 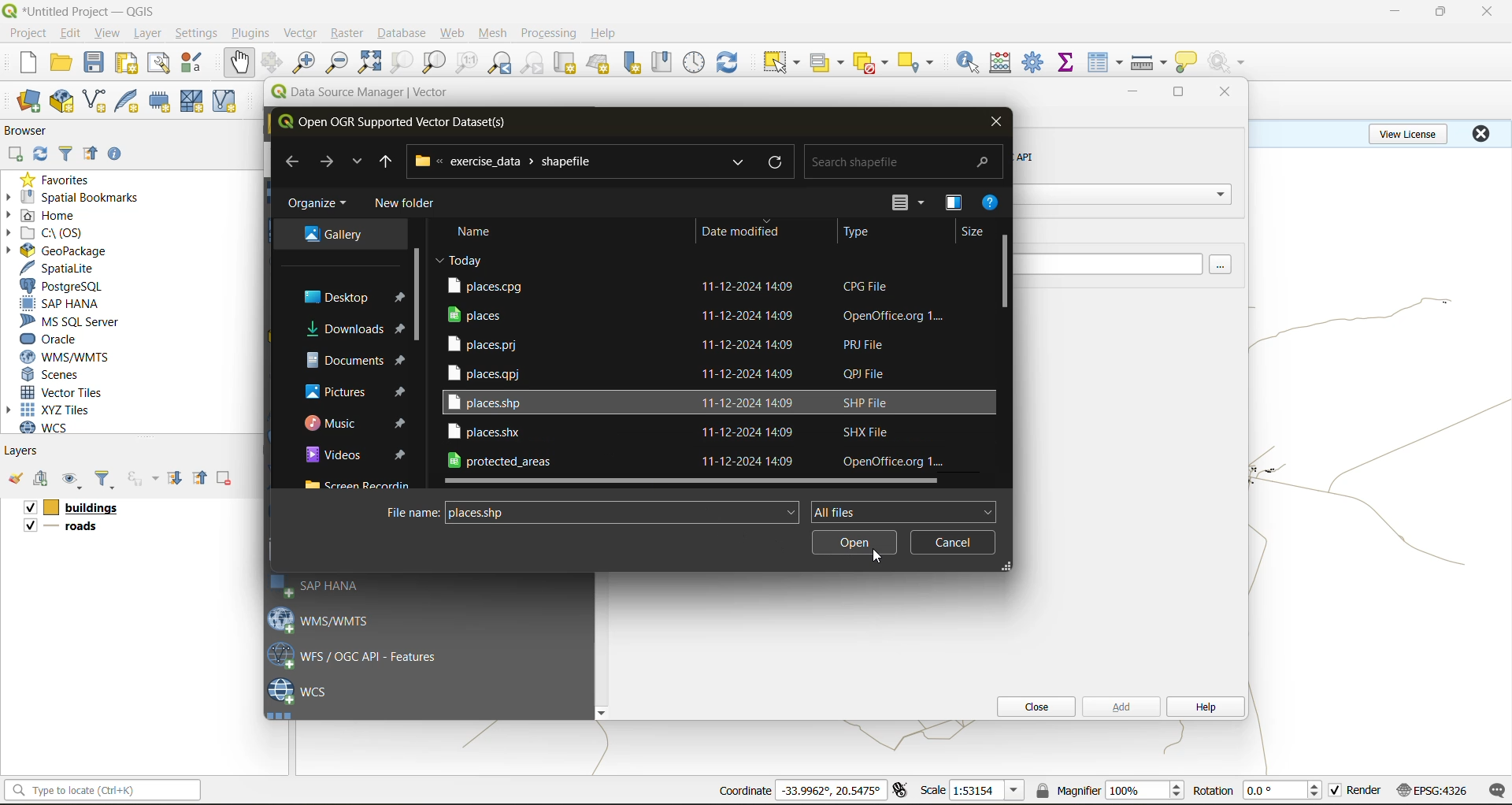 What do you see at coordinates (702, 314) in the screenshot?
I see `file/folder names` at bounding box center [702, 314].